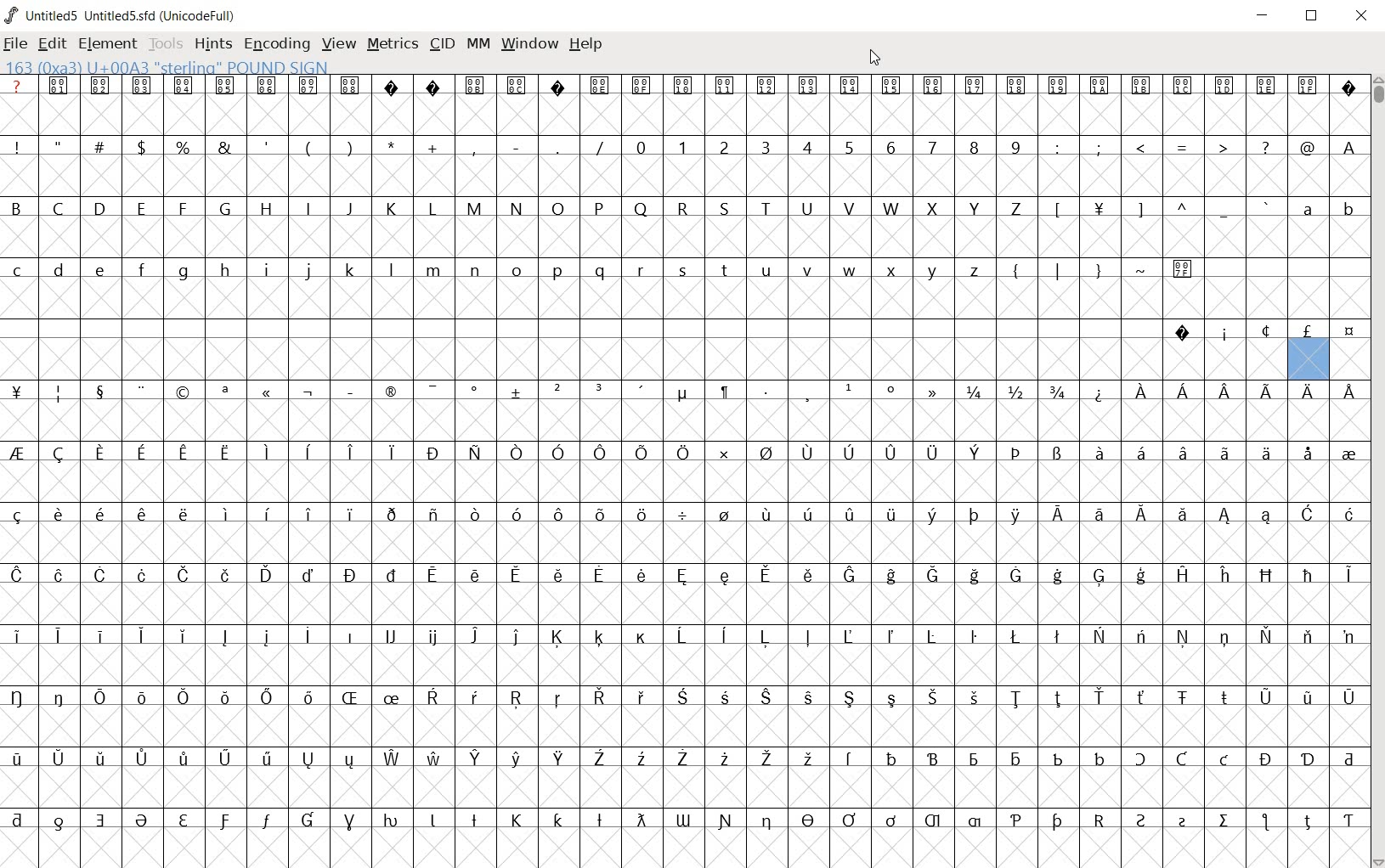 The height and width of the screenshot is (868, 1385). What do you see at coordinates (20, 759) in the screenshot?
I see `Symbol` at bounding box center [20, 759].